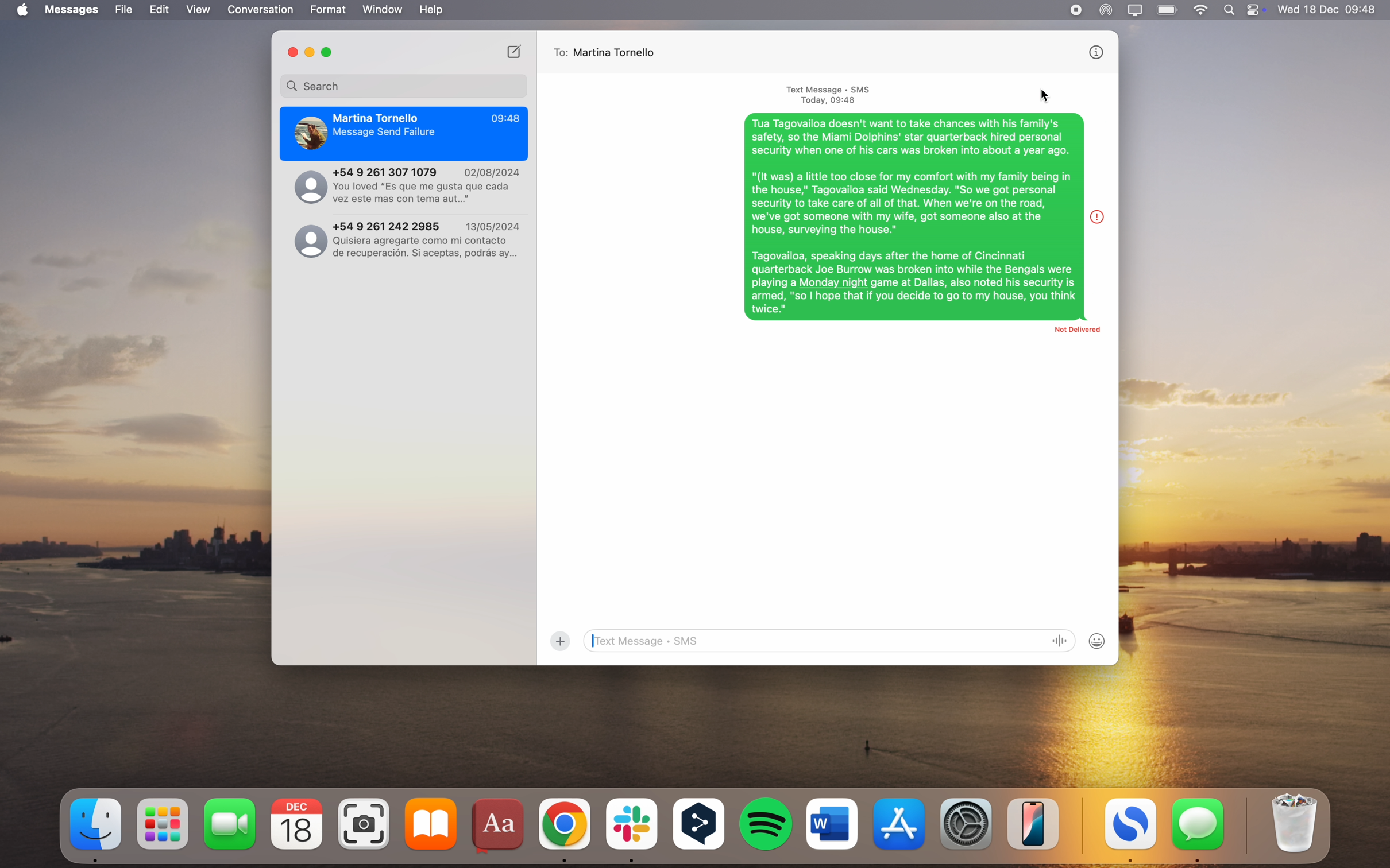 The height and width of the screenshot is (868, 1390). I want to click on view, so click(198, 10).